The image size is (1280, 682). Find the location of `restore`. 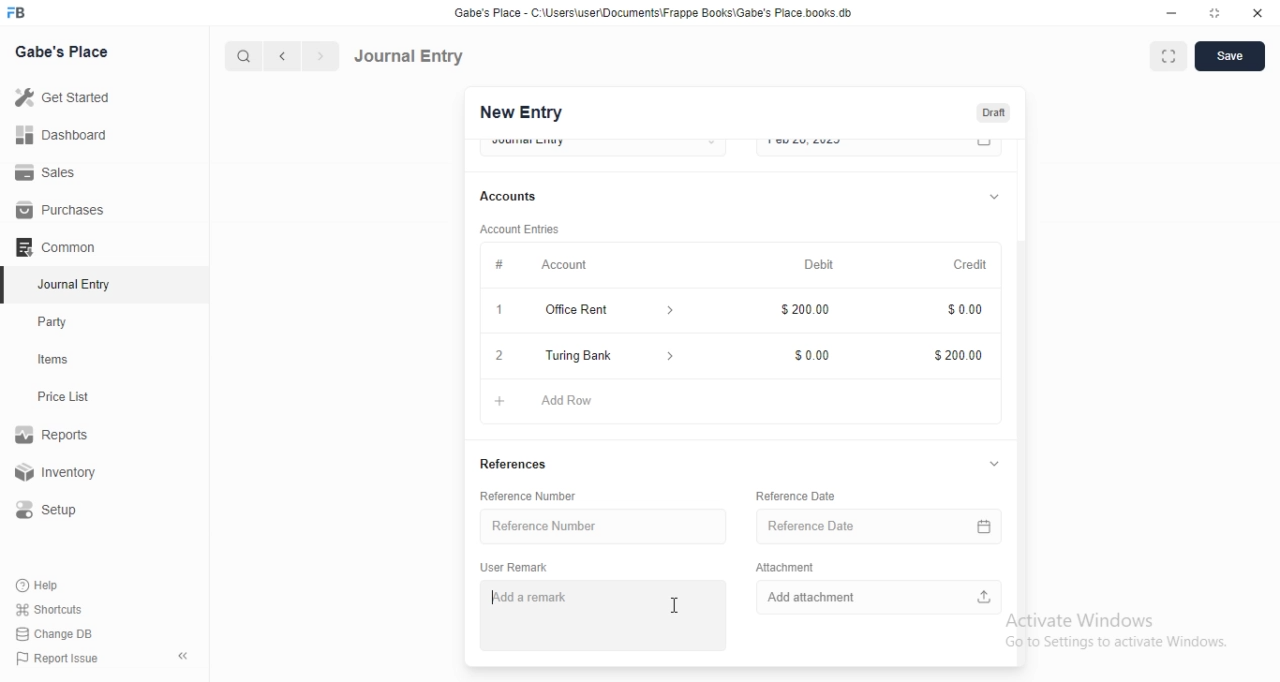

restore is located at coordinates (1218, 13).